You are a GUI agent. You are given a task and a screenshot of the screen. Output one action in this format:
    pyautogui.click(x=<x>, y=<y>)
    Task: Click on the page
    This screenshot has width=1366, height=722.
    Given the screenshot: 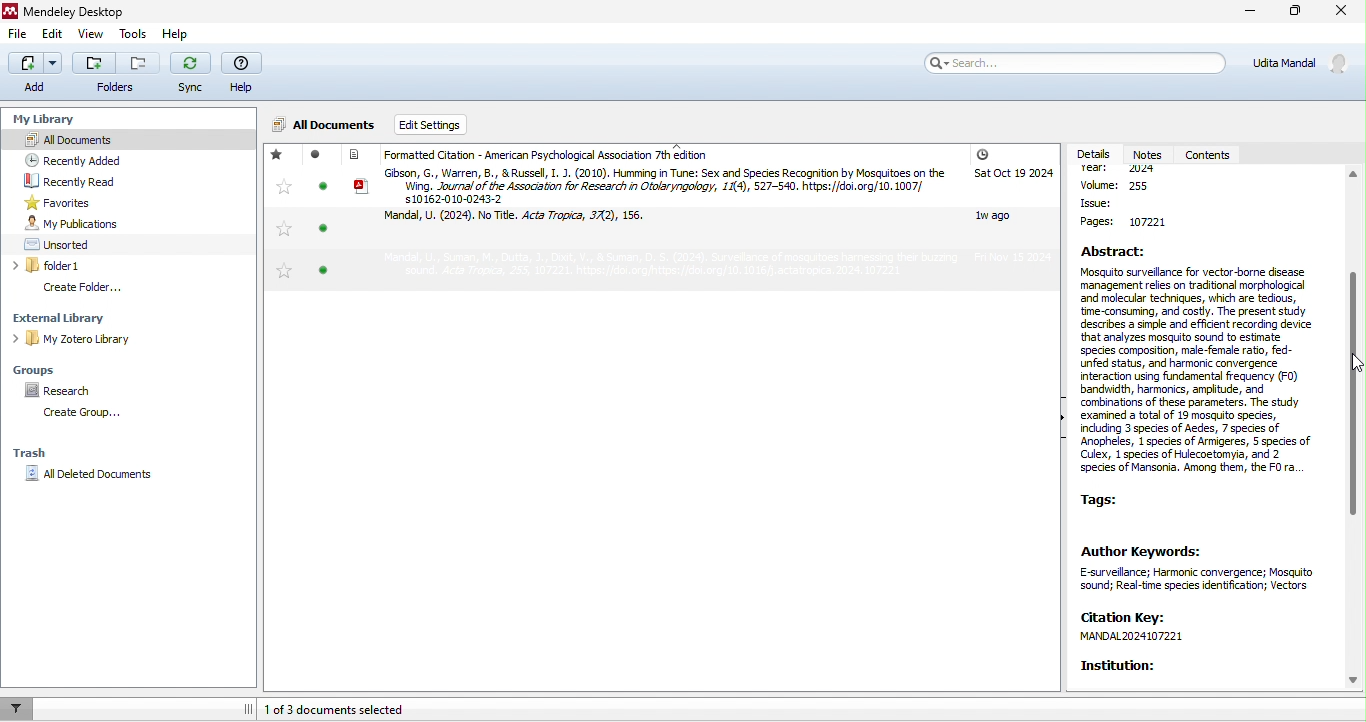 What is the action you would take?
    pyautogui.click(x=1118, y=222)
    